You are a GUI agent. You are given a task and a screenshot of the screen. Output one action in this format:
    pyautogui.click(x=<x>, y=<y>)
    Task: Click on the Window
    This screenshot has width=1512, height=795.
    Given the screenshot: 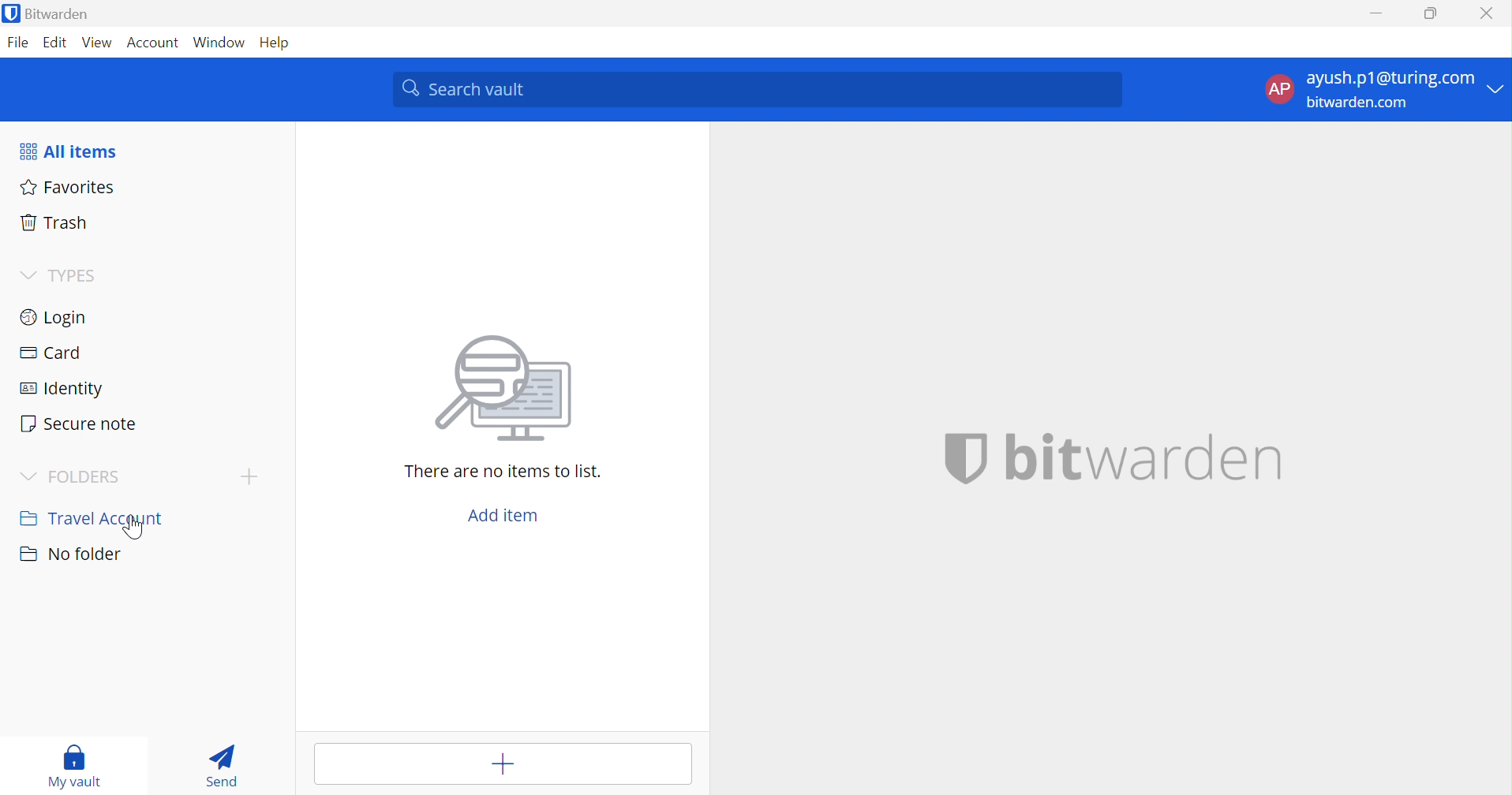 What is the action you would take?
    pyautogui.click(x=219, y=41)
    